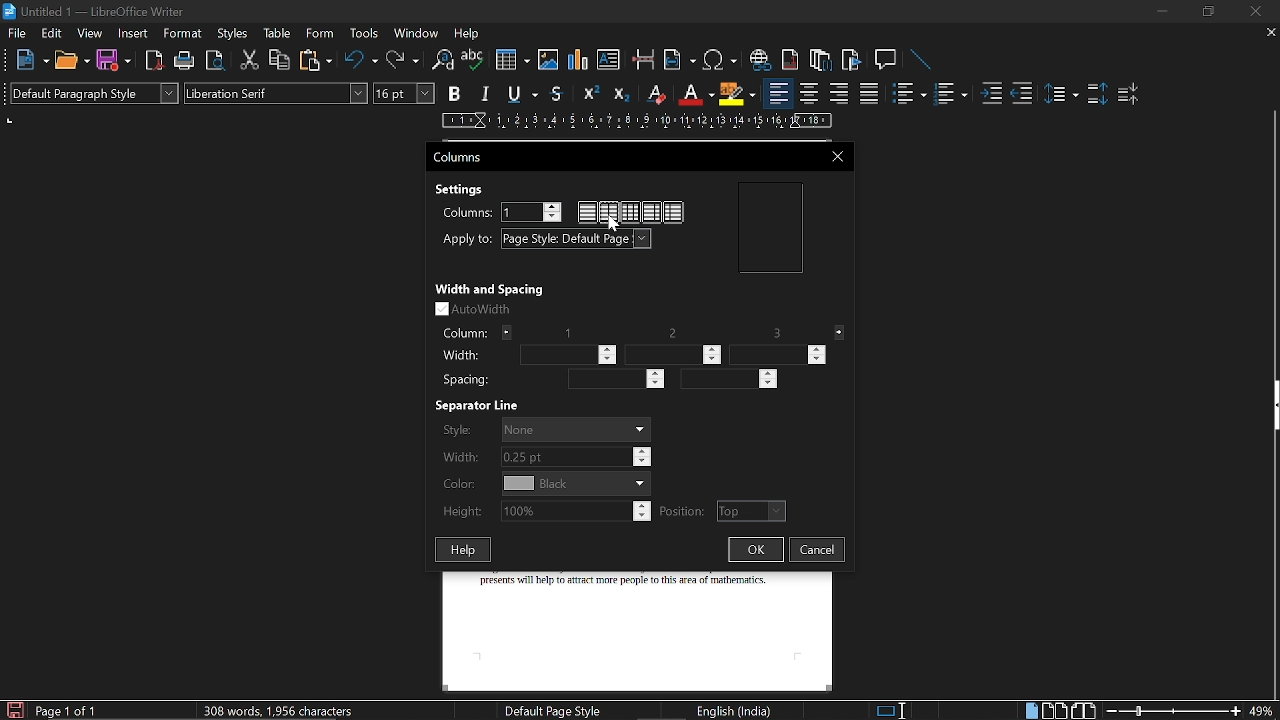 The height and width of the screenshot is (720, 1280). Describe the element at coordinates (283, 709) in the screenshot. I see `308 words, 1,956 characters` at that location.